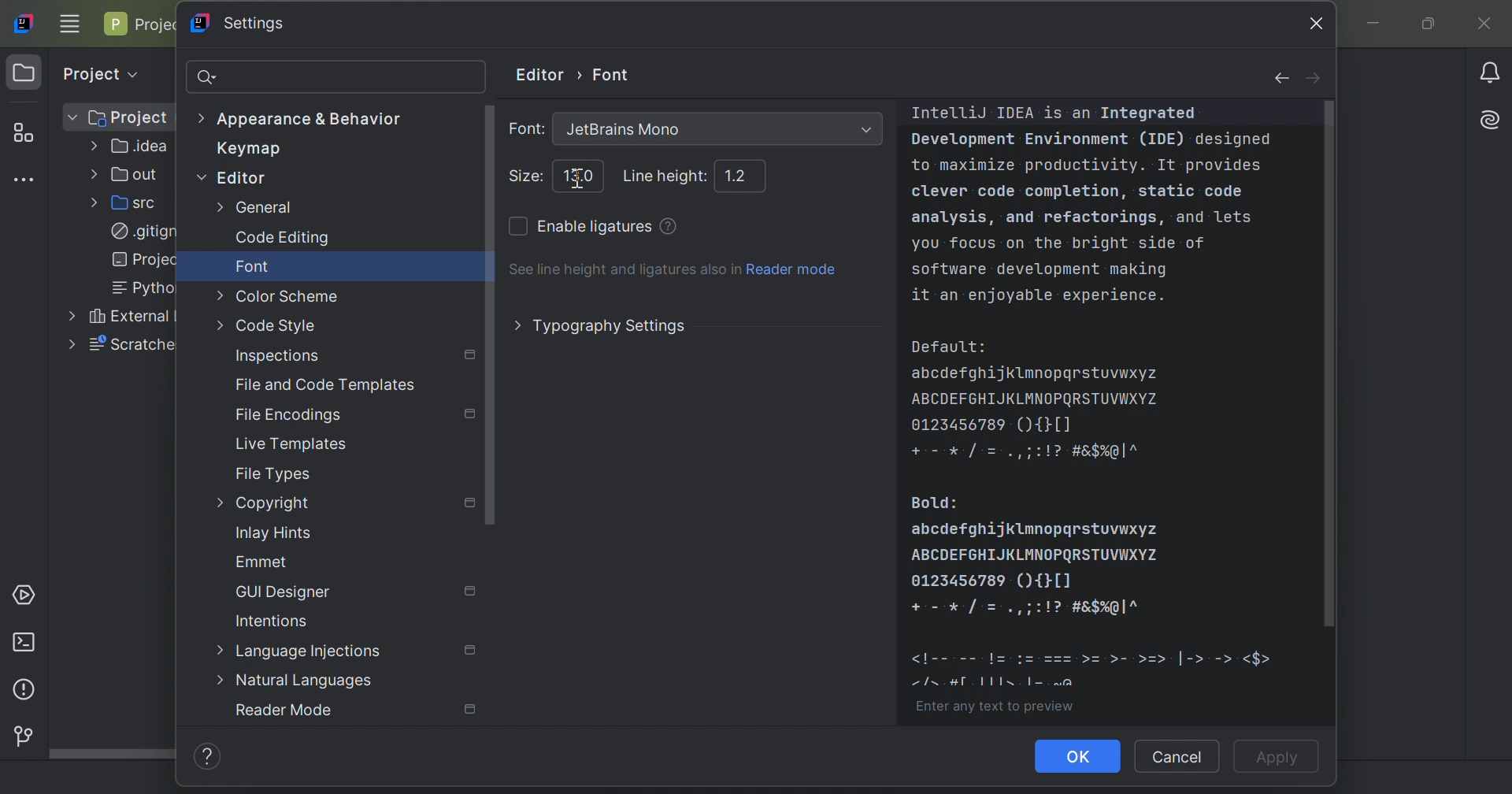 The height and width of the screenshot is (794, 1512). Describe the element at coordinates (132, 149) in the screenshot. I see `.idea` at that location.